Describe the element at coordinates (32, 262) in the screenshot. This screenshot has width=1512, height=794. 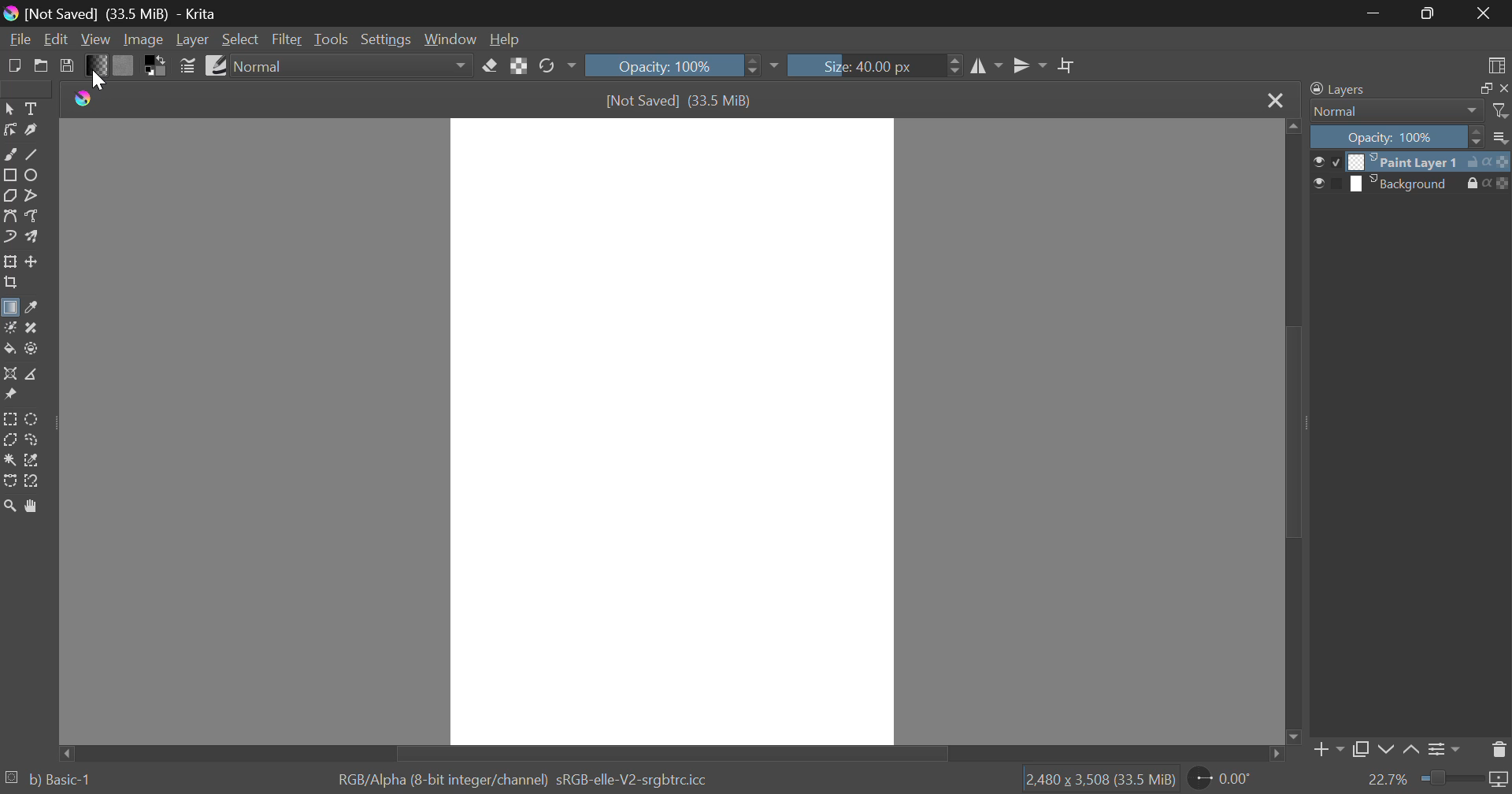
I see `Move Layer` at that location.